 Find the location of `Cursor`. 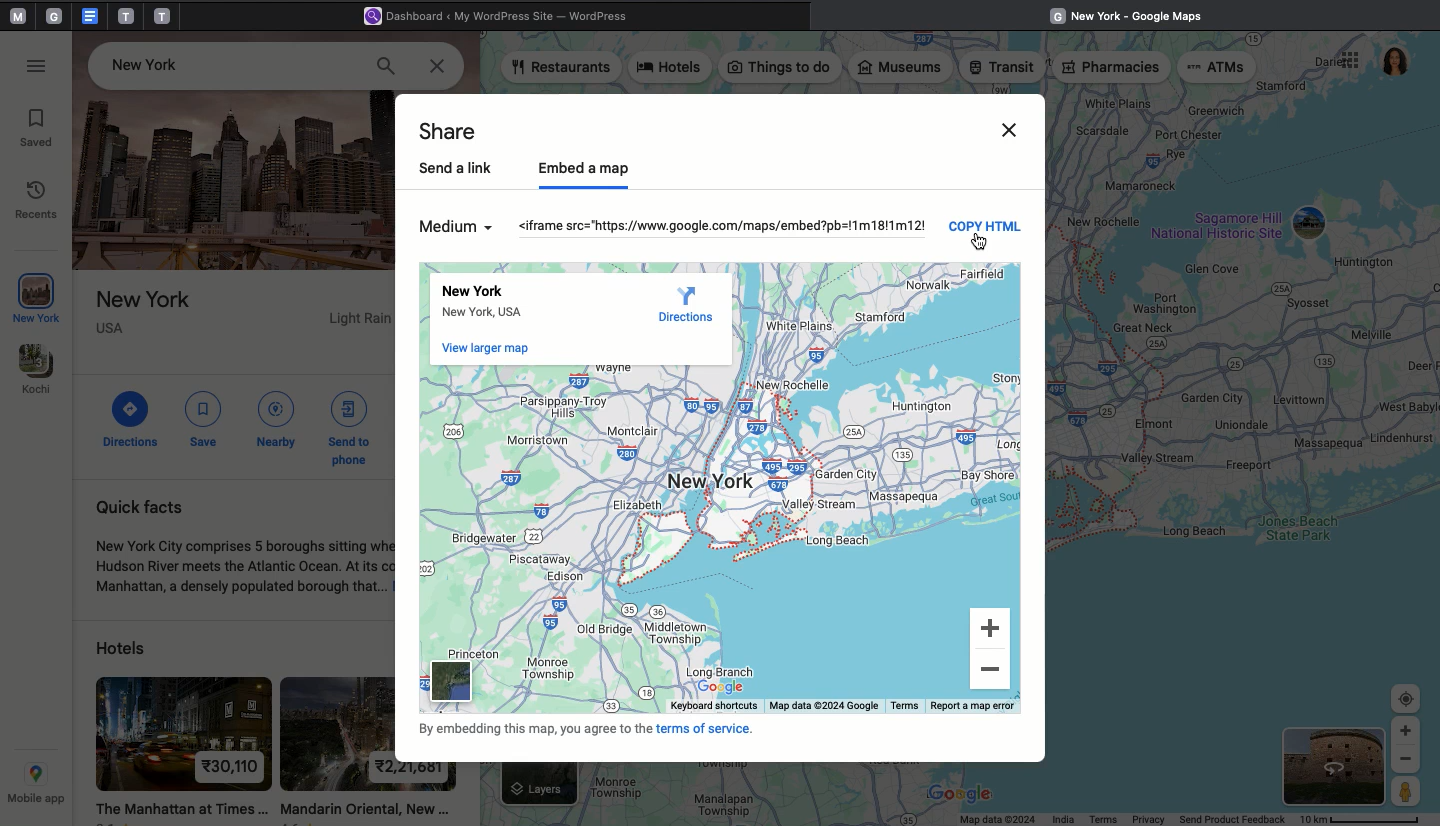

Cursor is located at coordinates (977, 242).